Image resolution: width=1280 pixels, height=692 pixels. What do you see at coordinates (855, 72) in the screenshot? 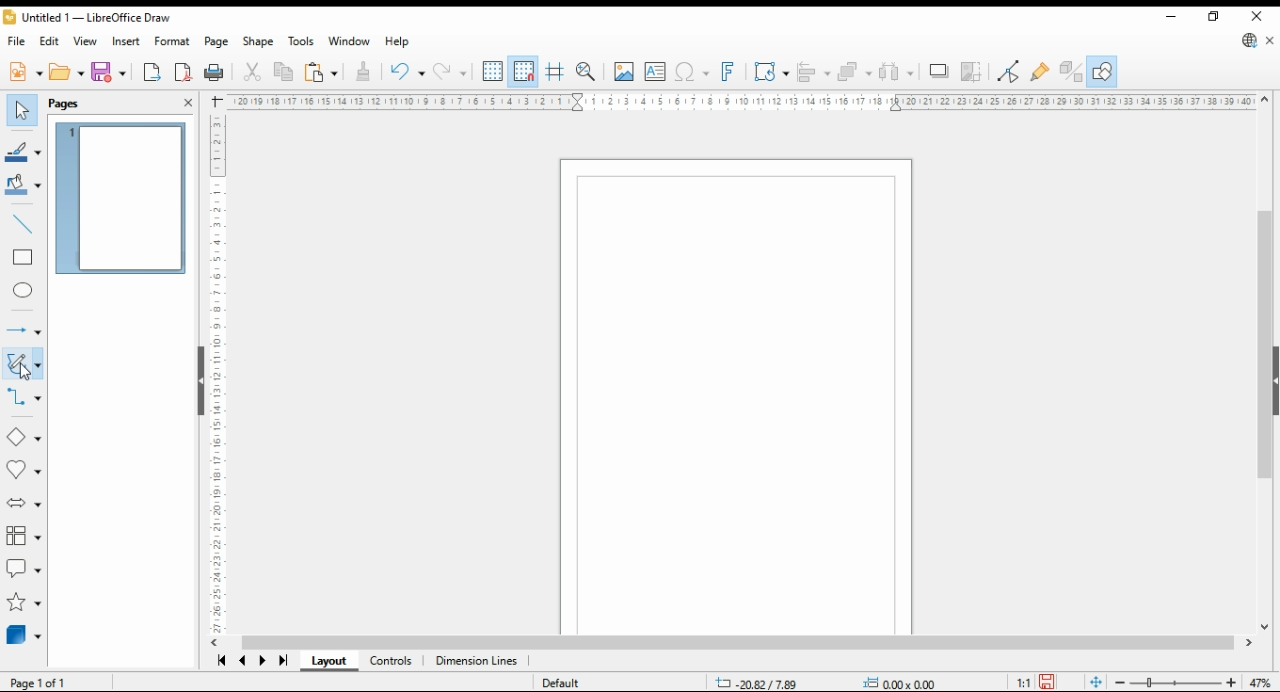
I see `arrange` at bounding box center [855, 72].